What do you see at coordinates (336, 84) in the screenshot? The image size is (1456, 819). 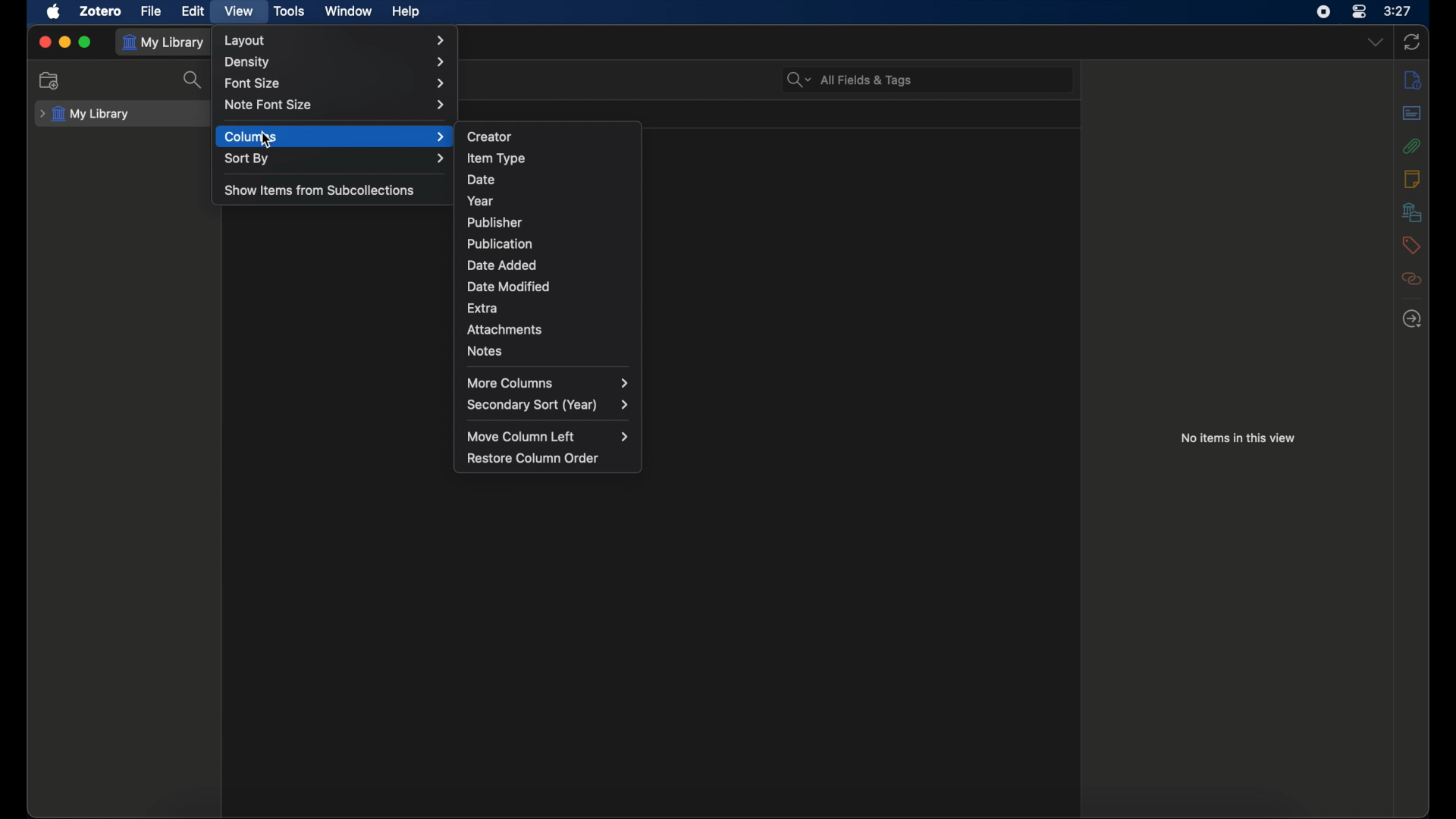 I see `font size` at bounding box center [336, 84].